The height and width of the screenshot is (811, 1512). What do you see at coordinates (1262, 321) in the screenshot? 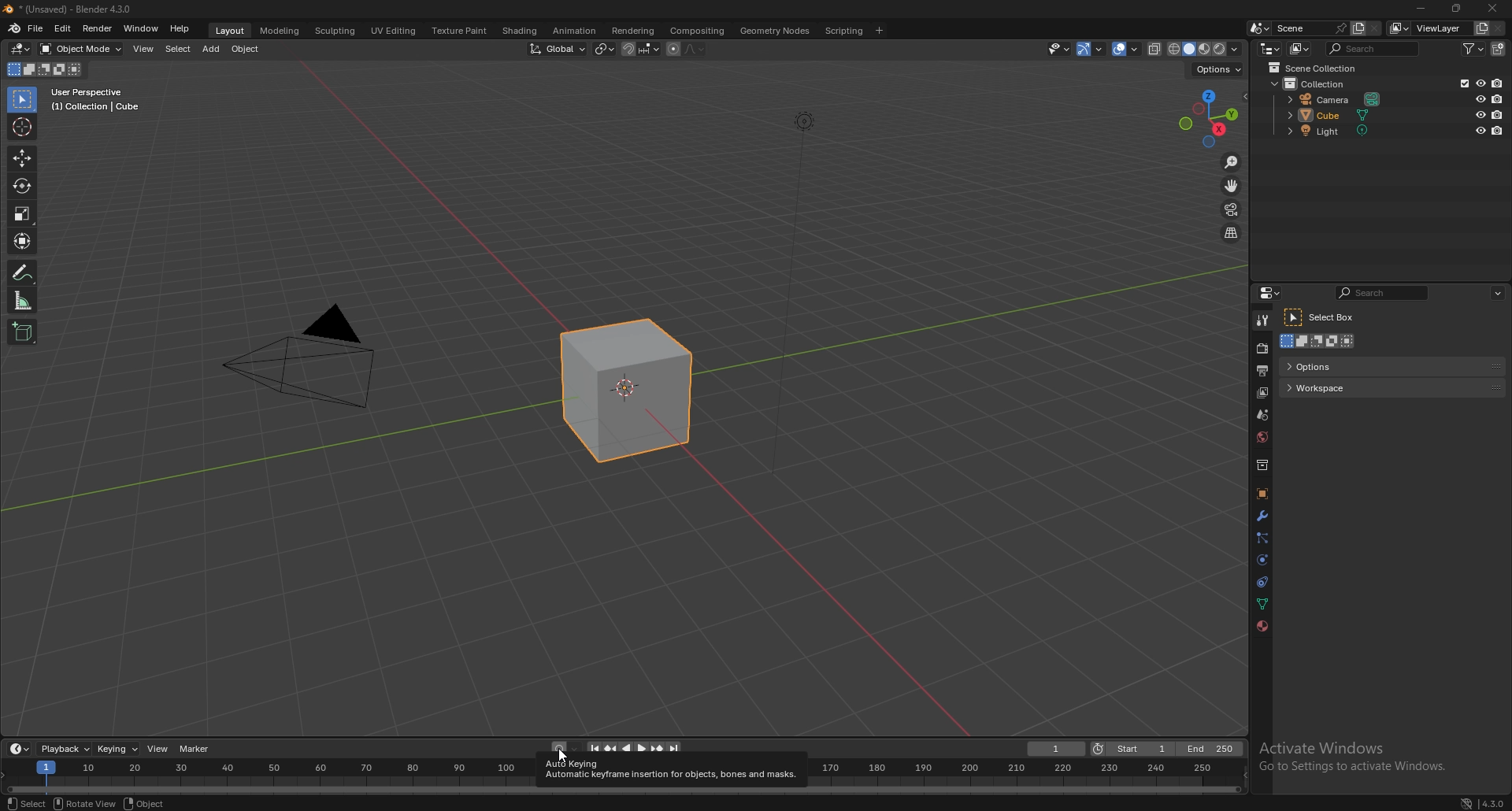
I see `tool` at bounding box center [1262, 321].